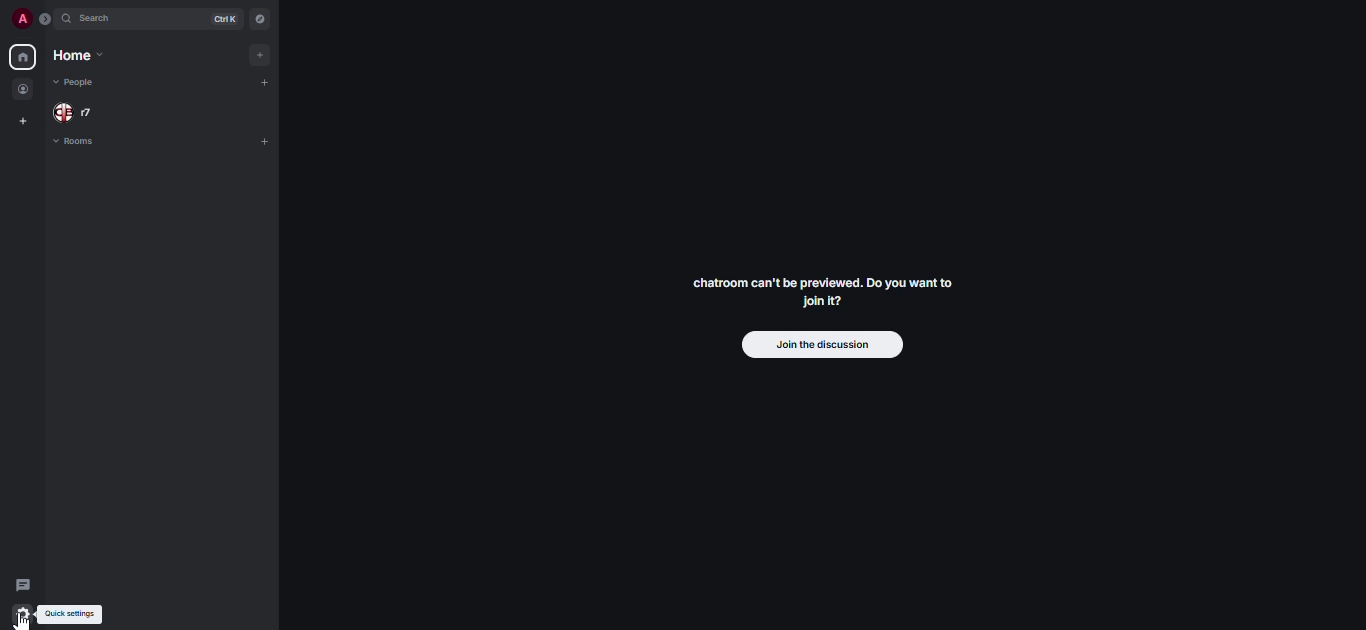 The image size is (1366, 630). What do you see at coordinates (20, 614) in the screenshot?
I see `quick settings` at bounding box center [20, 614].